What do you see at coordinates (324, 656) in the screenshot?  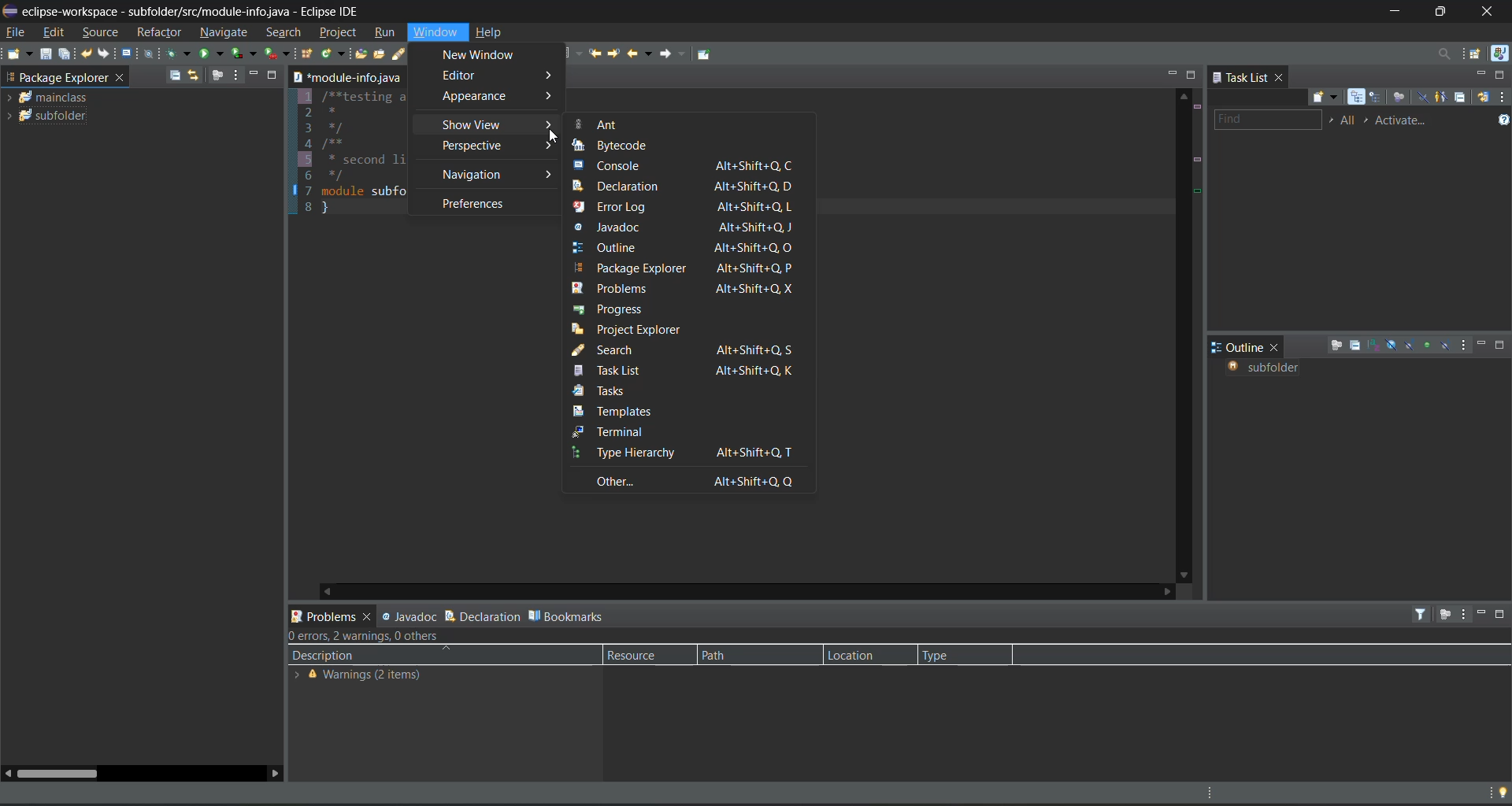 I see `description` at bounding box center [324, 656].